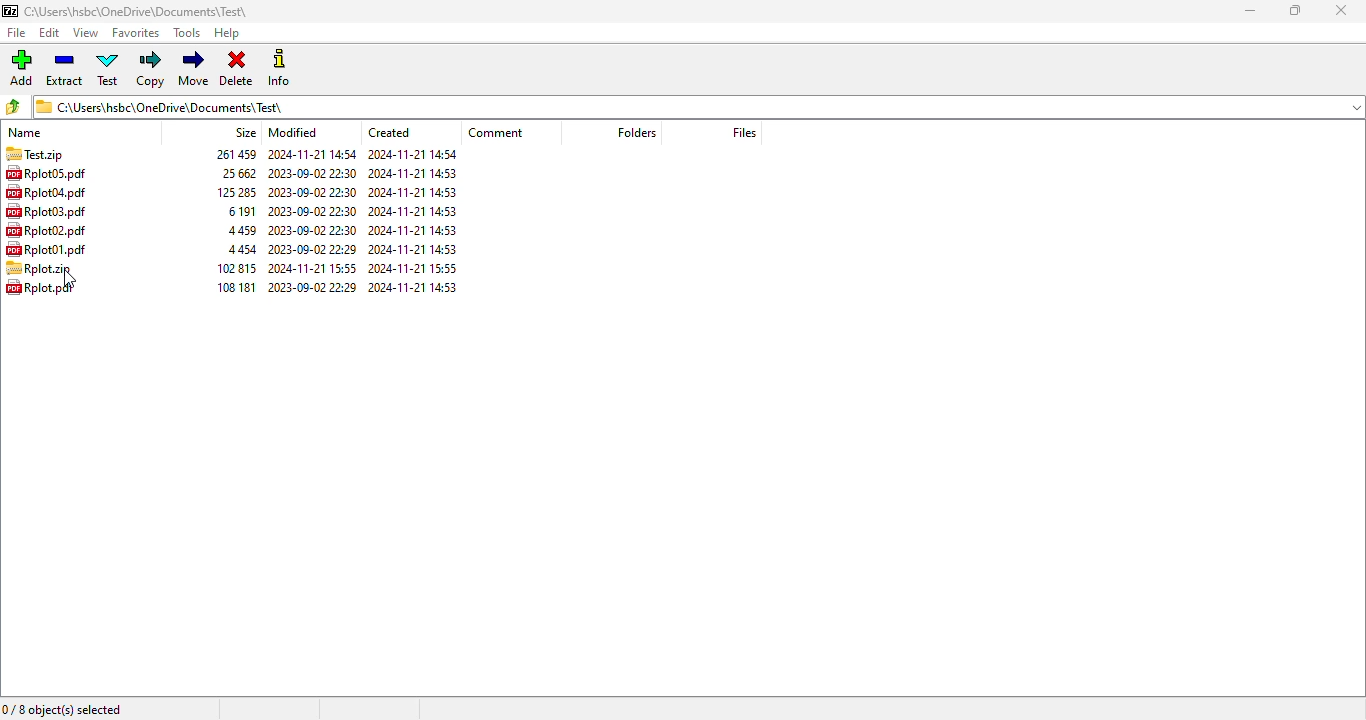 This screenshot has height=720, width=1366. What do you see at coordinates (86, 33) in the screenshot?
I see `view` at bounding box center [86, 33].